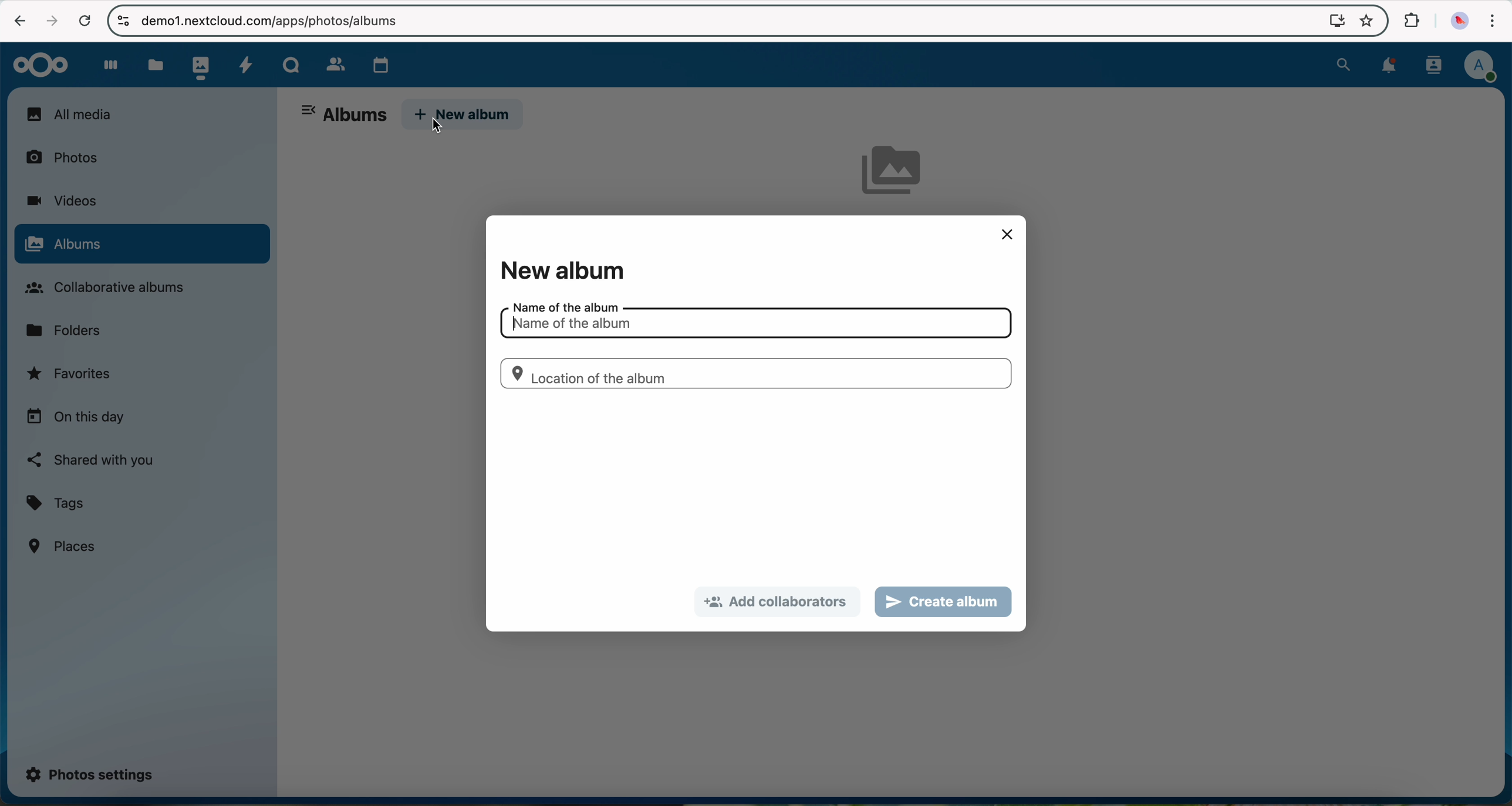 This screenshot has width=1512, height=806. I want to click on Nextcloud logo, so click(36, 64).